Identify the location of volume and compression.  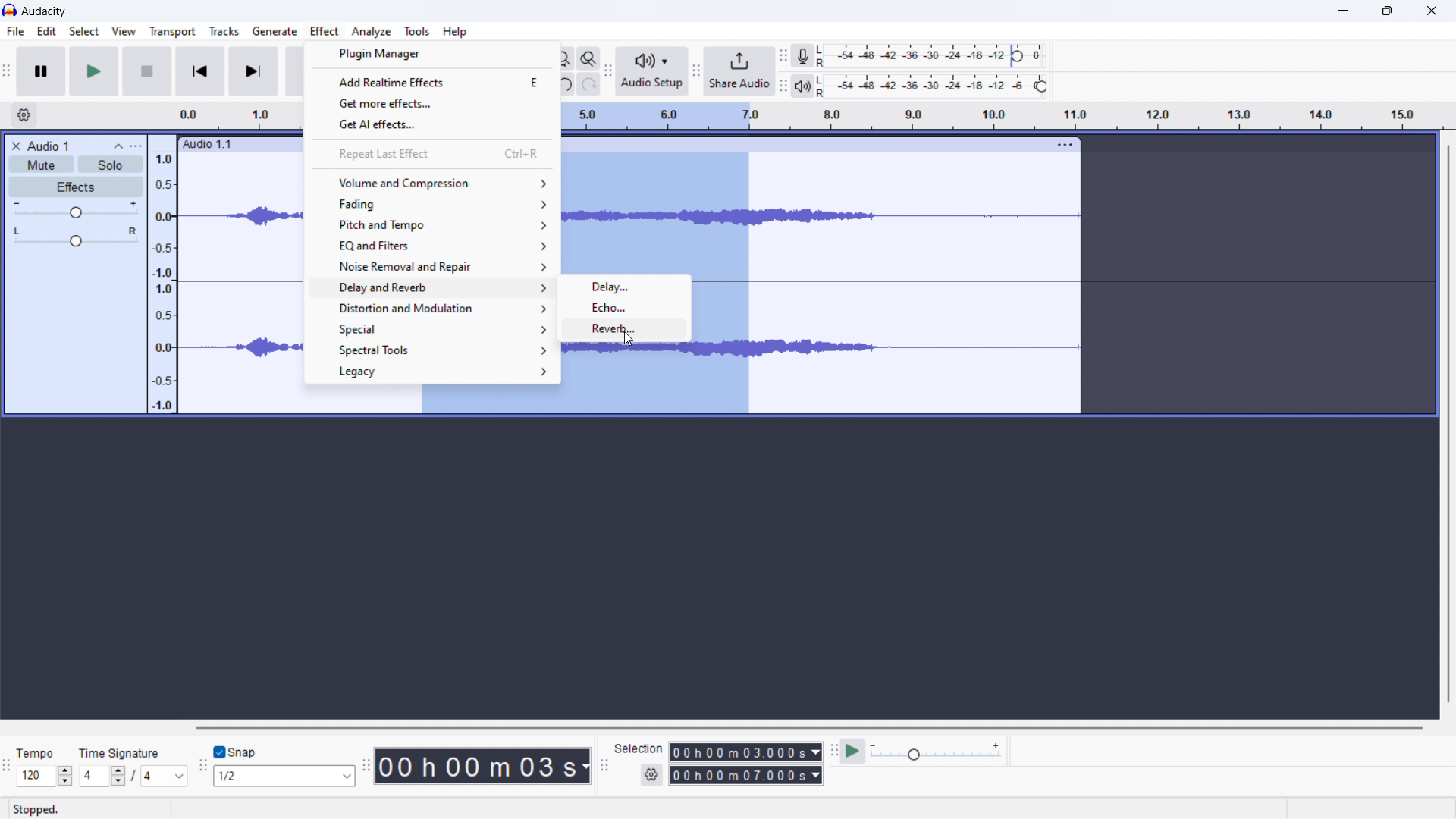
(431, 183).